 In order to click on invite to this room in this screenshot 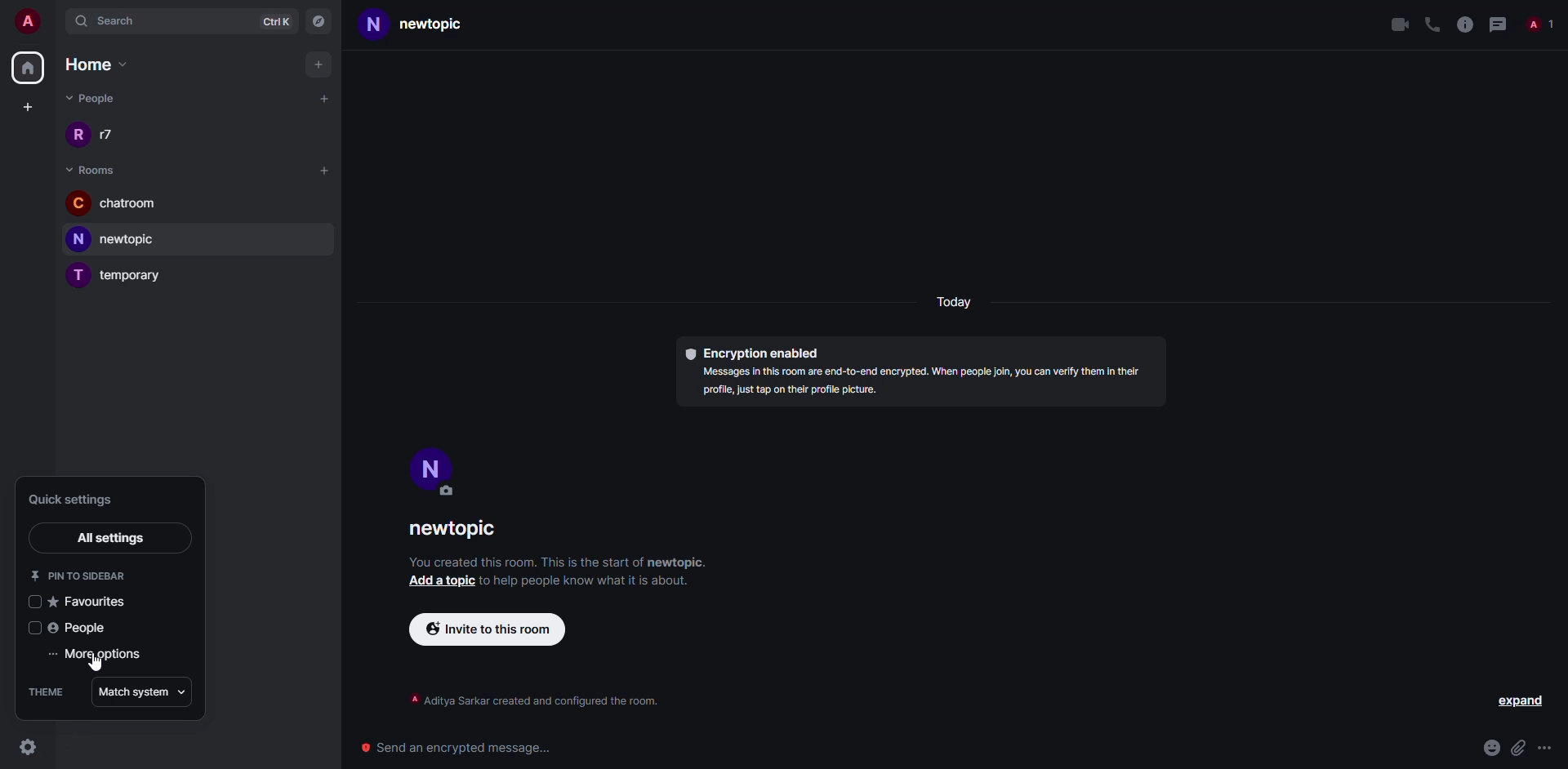, I will do `click(488, 630)`.